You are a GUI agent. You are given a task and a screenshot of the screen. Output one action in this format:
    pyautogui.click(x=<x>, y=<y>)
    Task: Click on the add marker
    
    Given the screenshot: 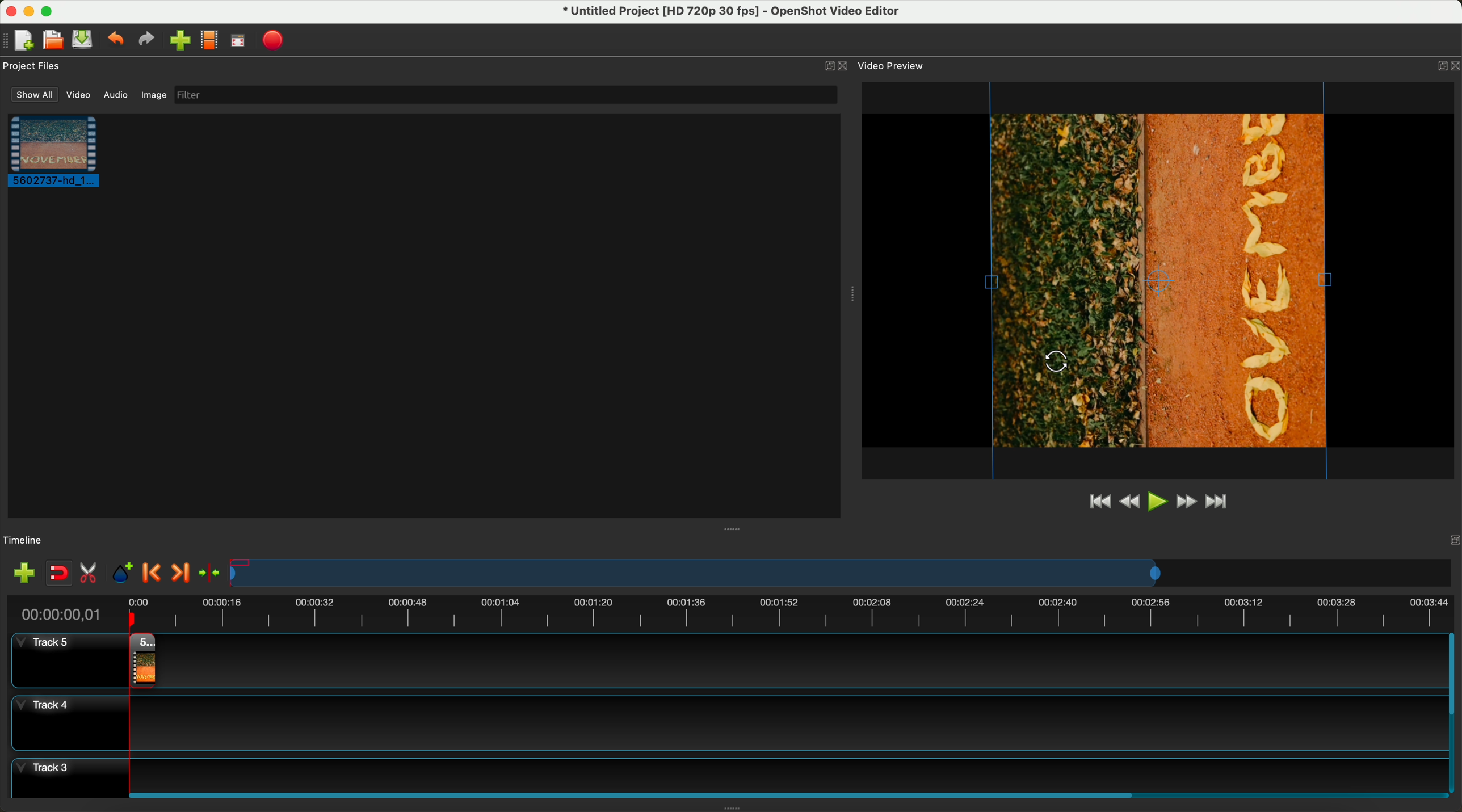 What is the action you would take?
    pyautogui.click(x=123, y=574)
    